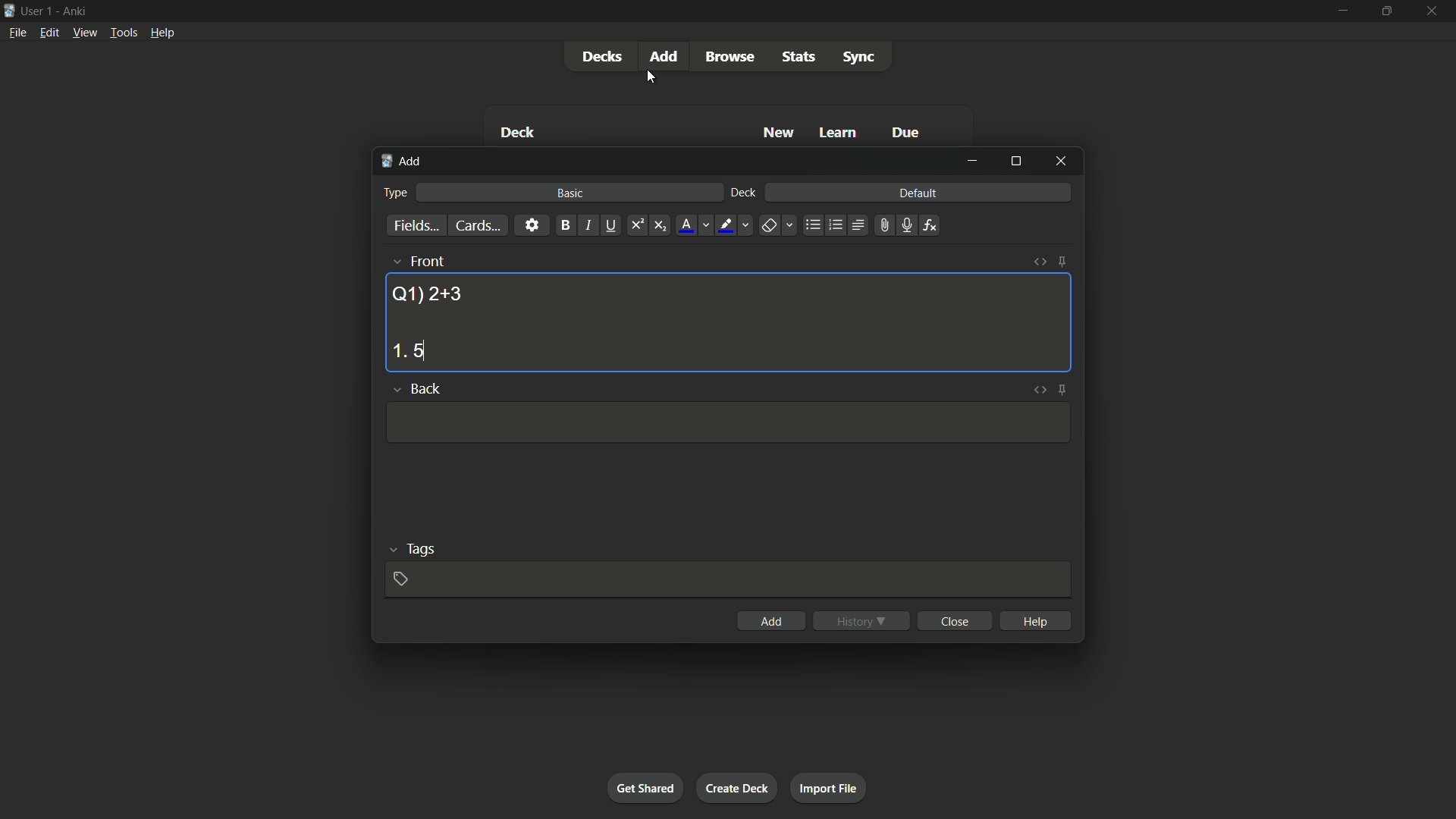 The width and height of the screenshot is (1456, 819). I want to click on record audio, so click(905, 226).